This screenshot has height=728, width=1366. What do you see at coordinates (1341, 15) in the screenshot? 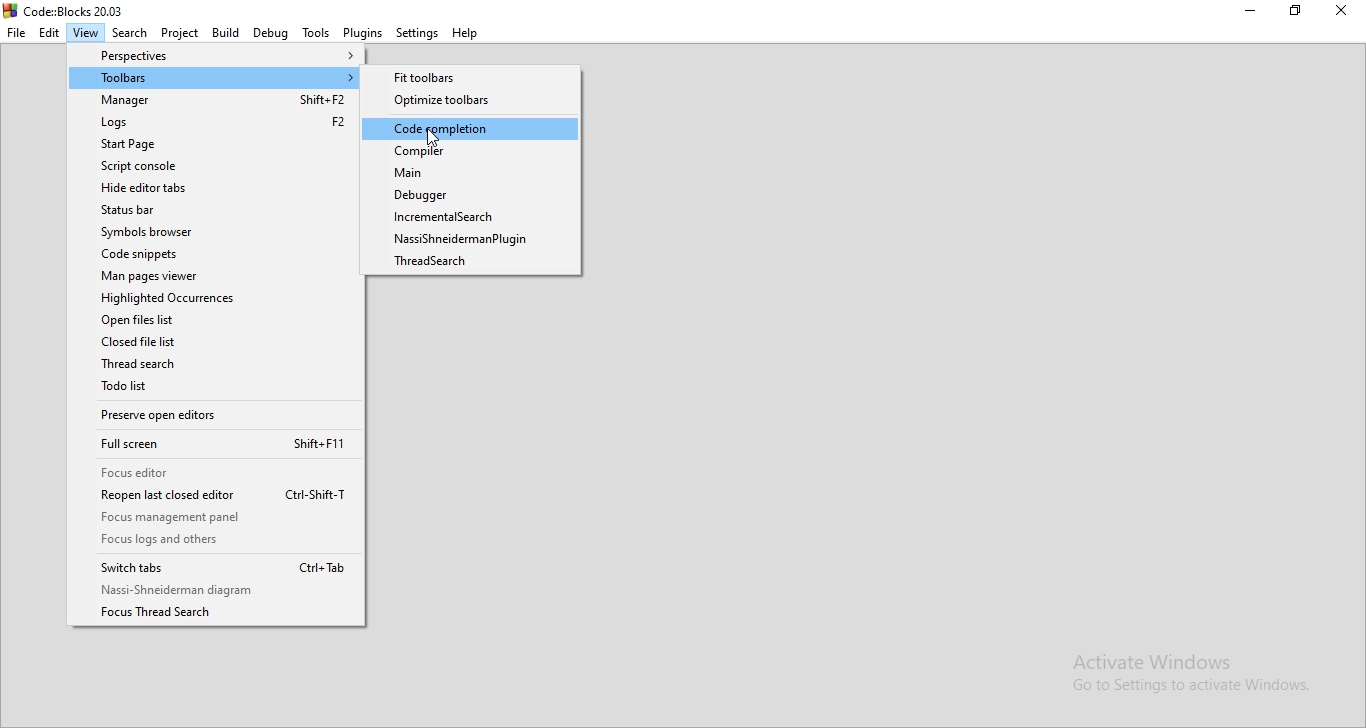
I see `Close` at bounding box center [1341, 15].